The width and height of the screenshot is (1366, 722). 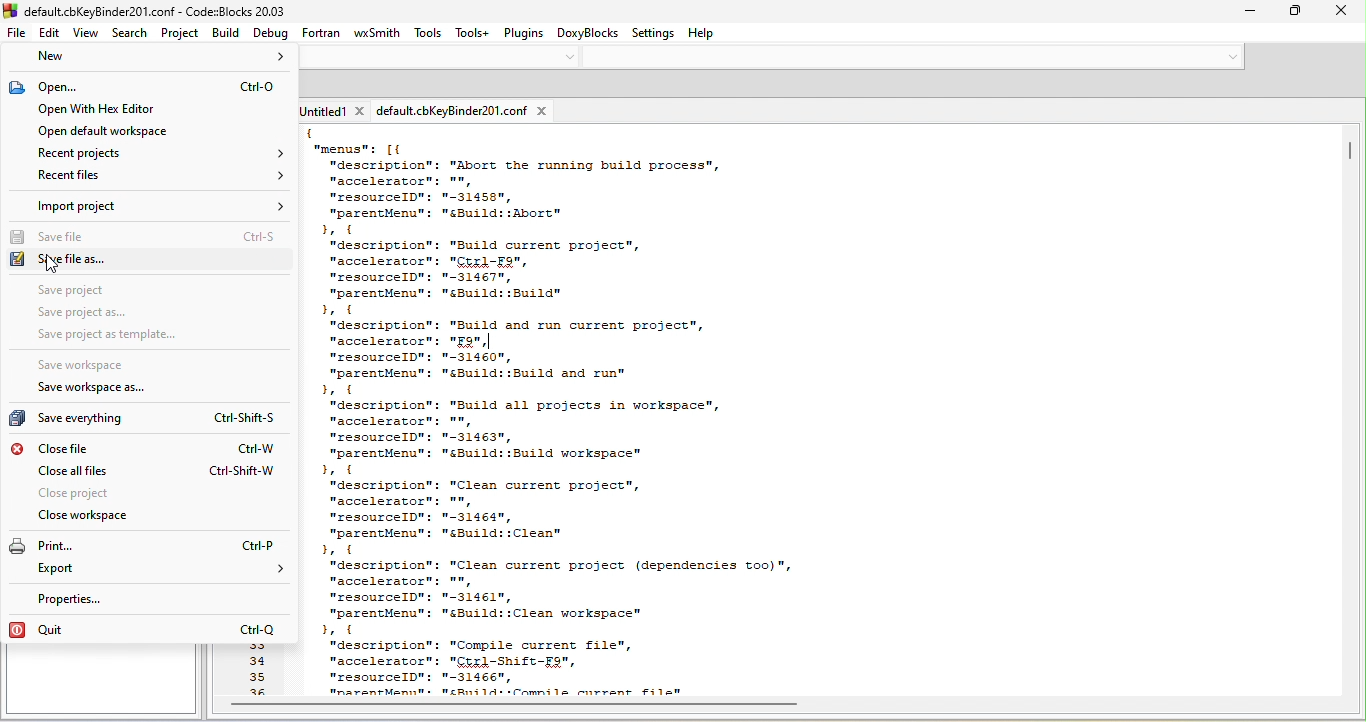 What do you see at coordinates (1351, 154) in the screenshot?
I see `scroll bar` at bounding box center [1351, 154].